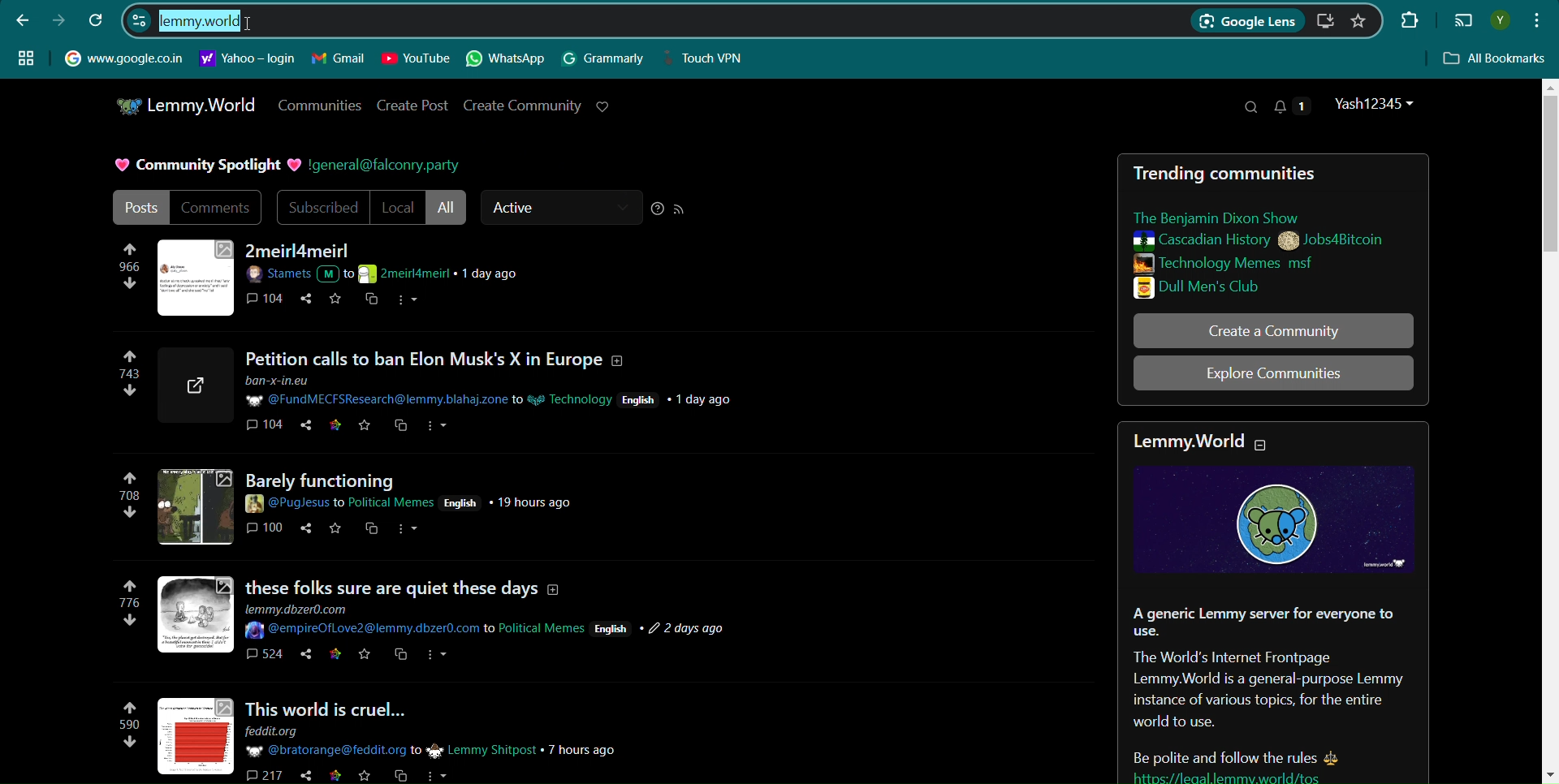 This screenshot has width=1559, height=784. What do you see at coordinates (1234, 218) in the screenshot?
I see `The Benjamin Dixon Show` at bounding box center [1234, 218].